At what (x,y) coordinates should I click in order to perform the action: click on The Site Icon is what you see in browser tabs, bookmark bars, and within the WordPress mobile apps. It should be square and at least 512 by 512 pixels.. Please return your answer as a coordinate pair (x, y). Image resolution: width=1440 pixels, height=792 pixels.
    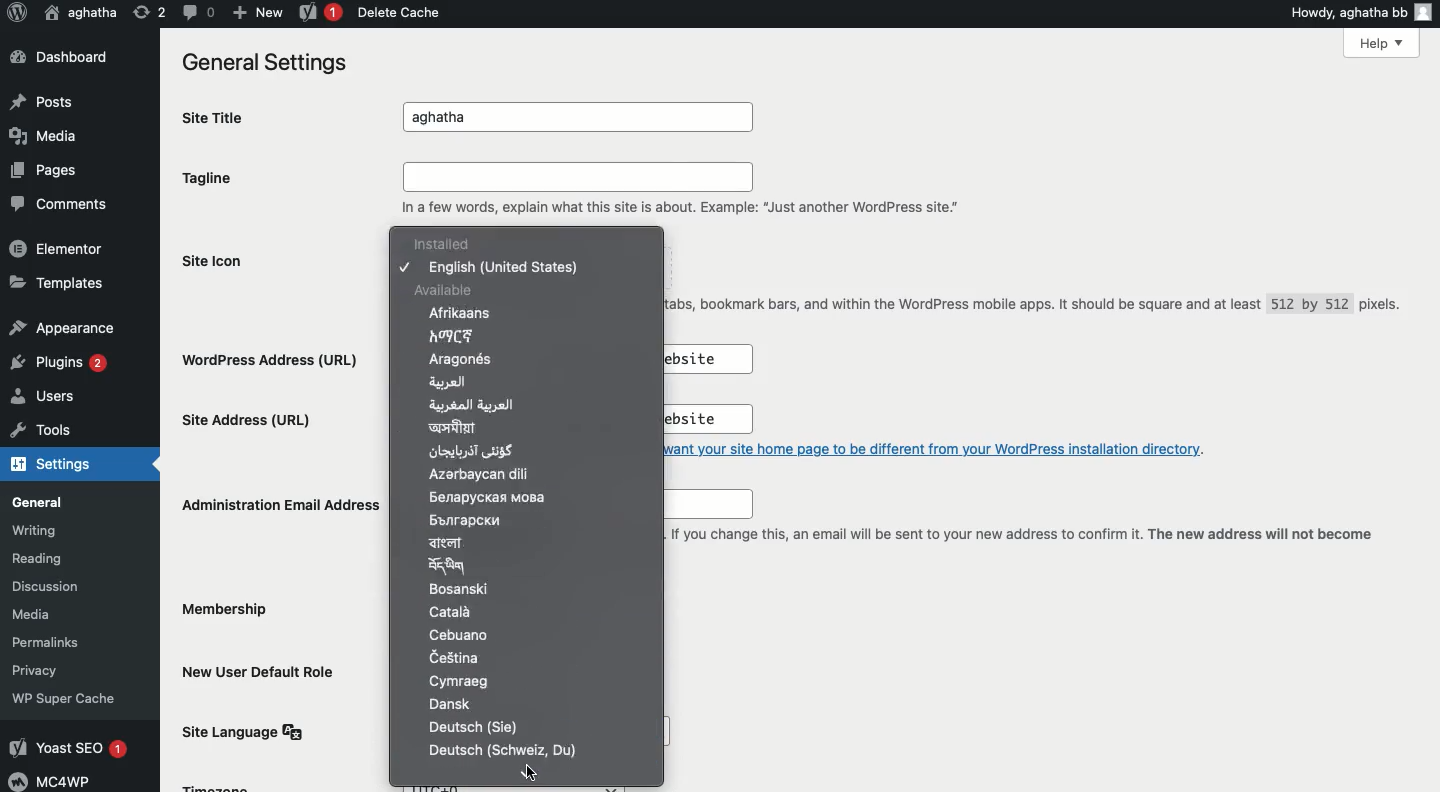
    Looking at the image, I should click on (1037, 311).